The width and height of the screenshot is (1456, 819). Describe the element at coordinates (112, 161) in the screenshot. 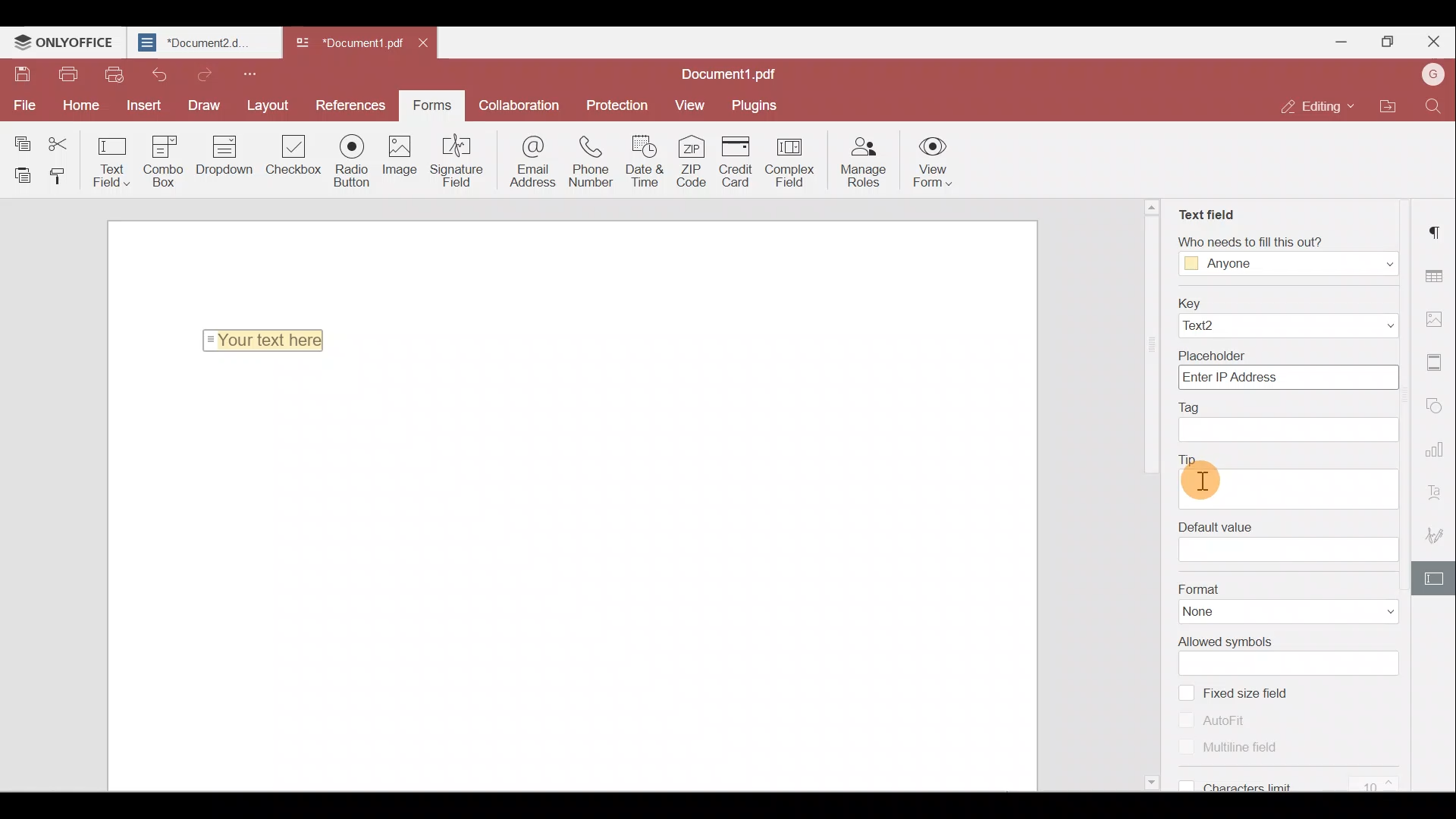

I see `Text field` at that location.